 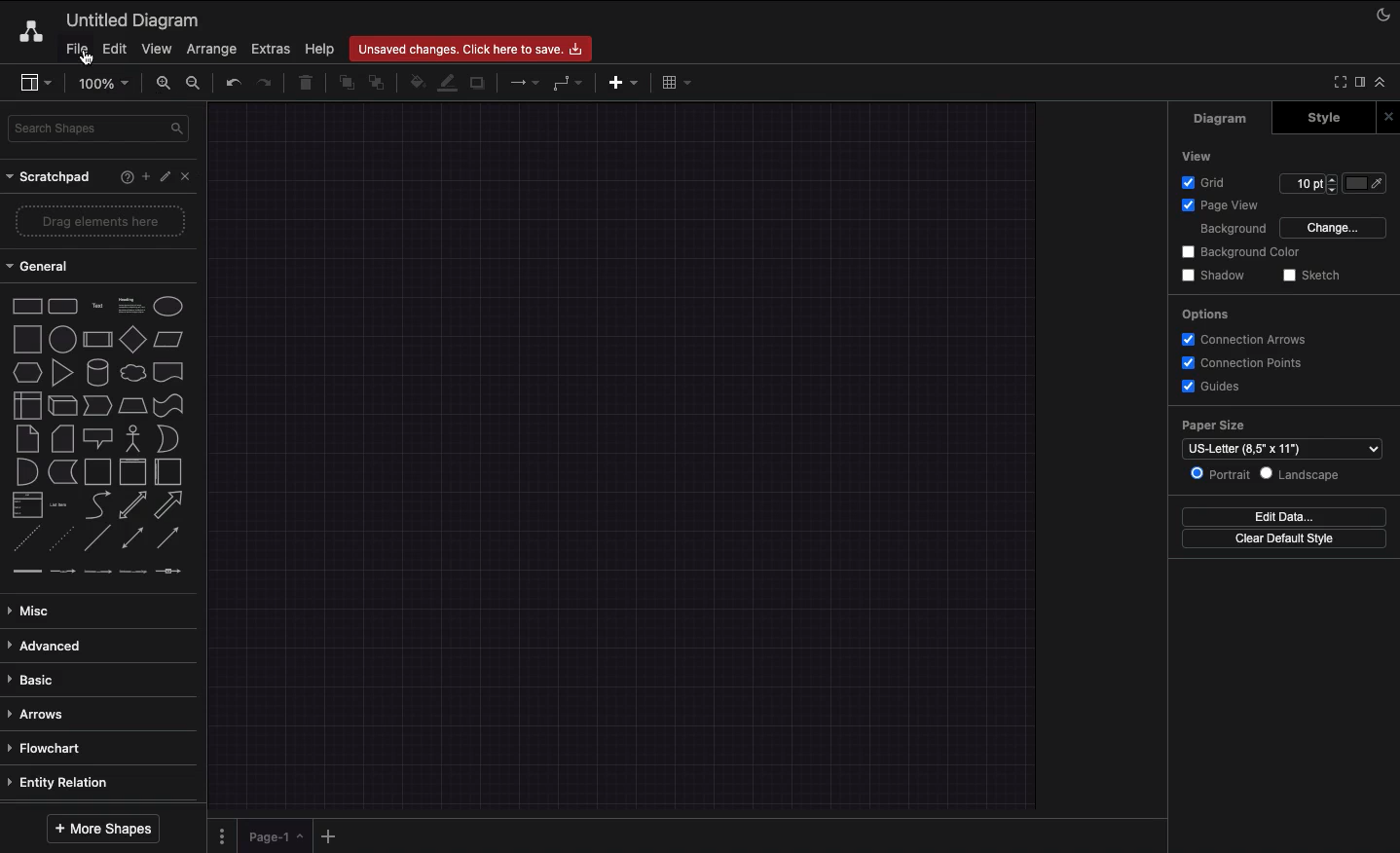 What do you see at coordinates (133, 538) in the screenshot?
I see `Bidirectional connector` at bounding box center [133, 538].